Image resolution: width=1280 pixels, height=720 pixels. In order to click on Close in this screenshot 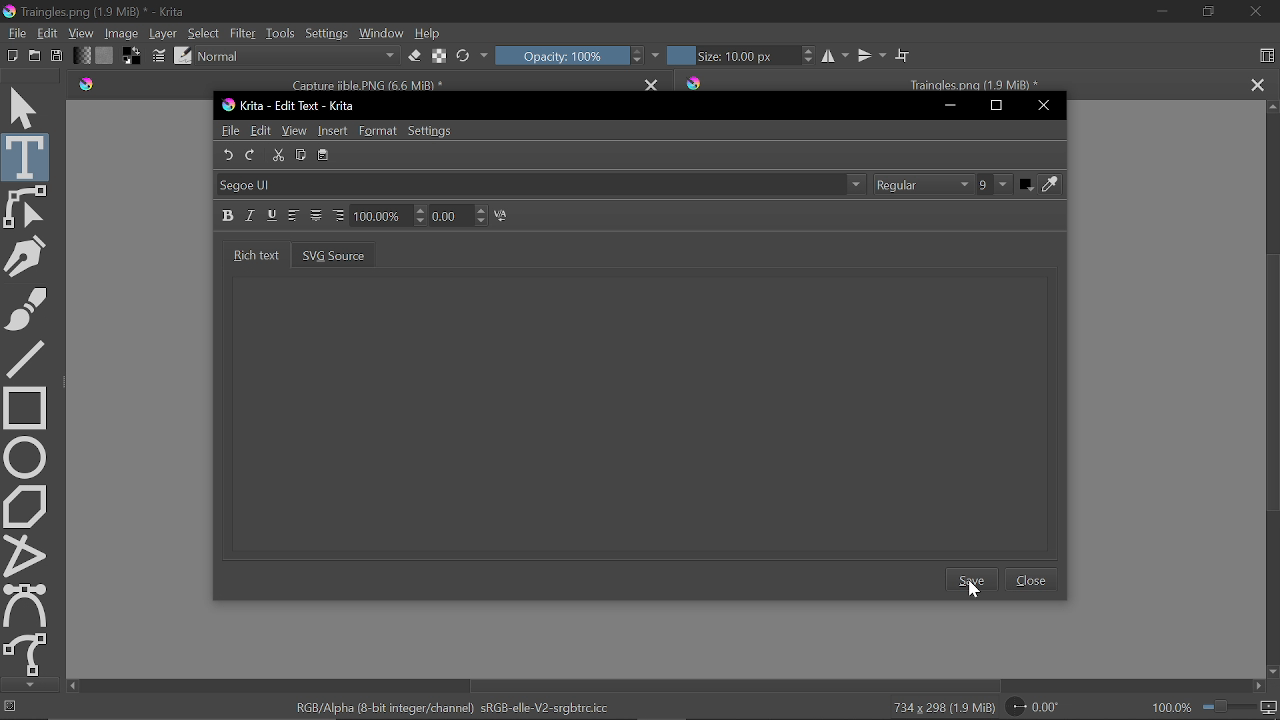, I will do `click(1256, 11)`.